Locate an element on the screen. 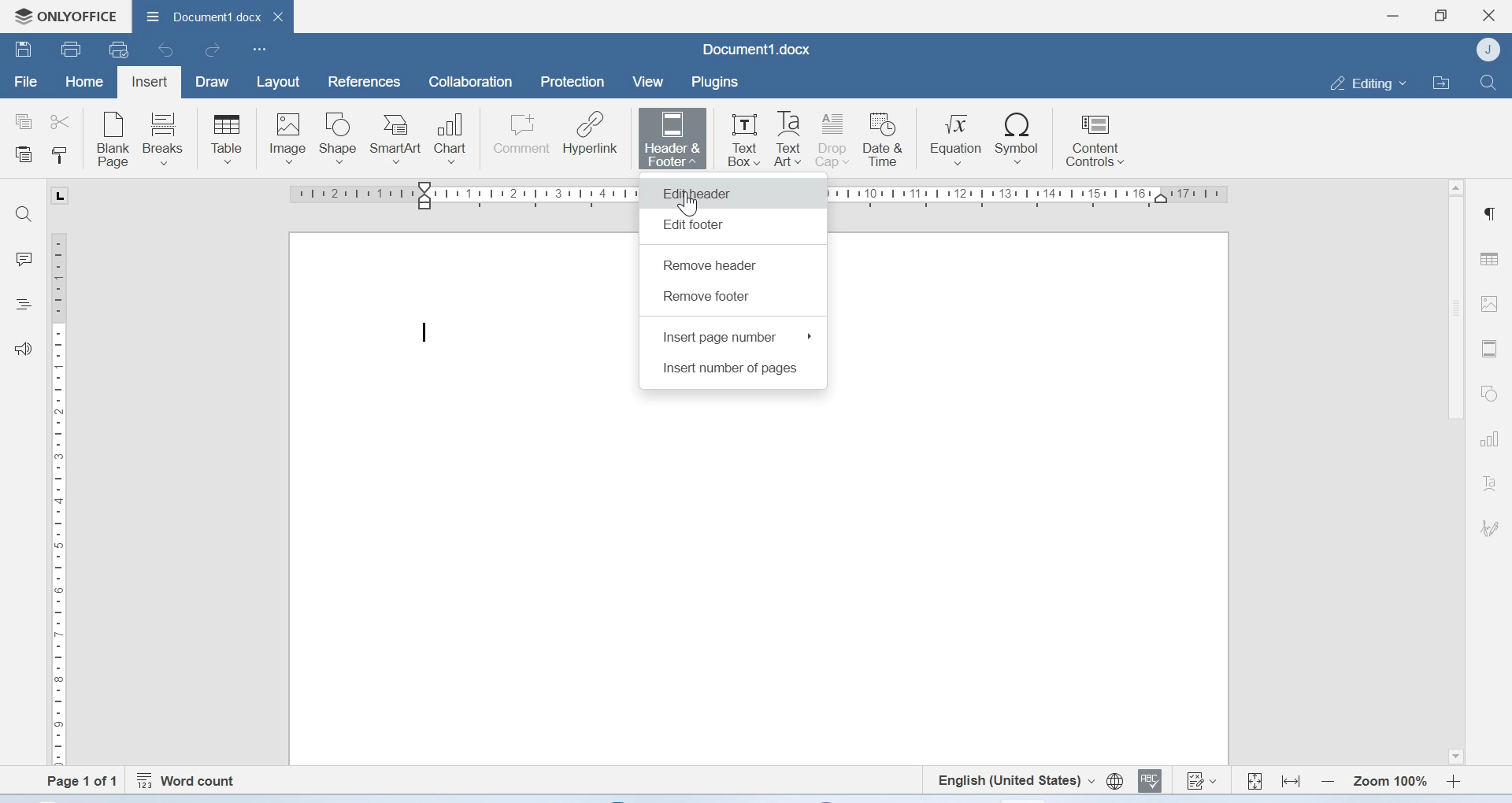 This screenshot has width=1512, height=803. Image is located at coordinates (287, 137).